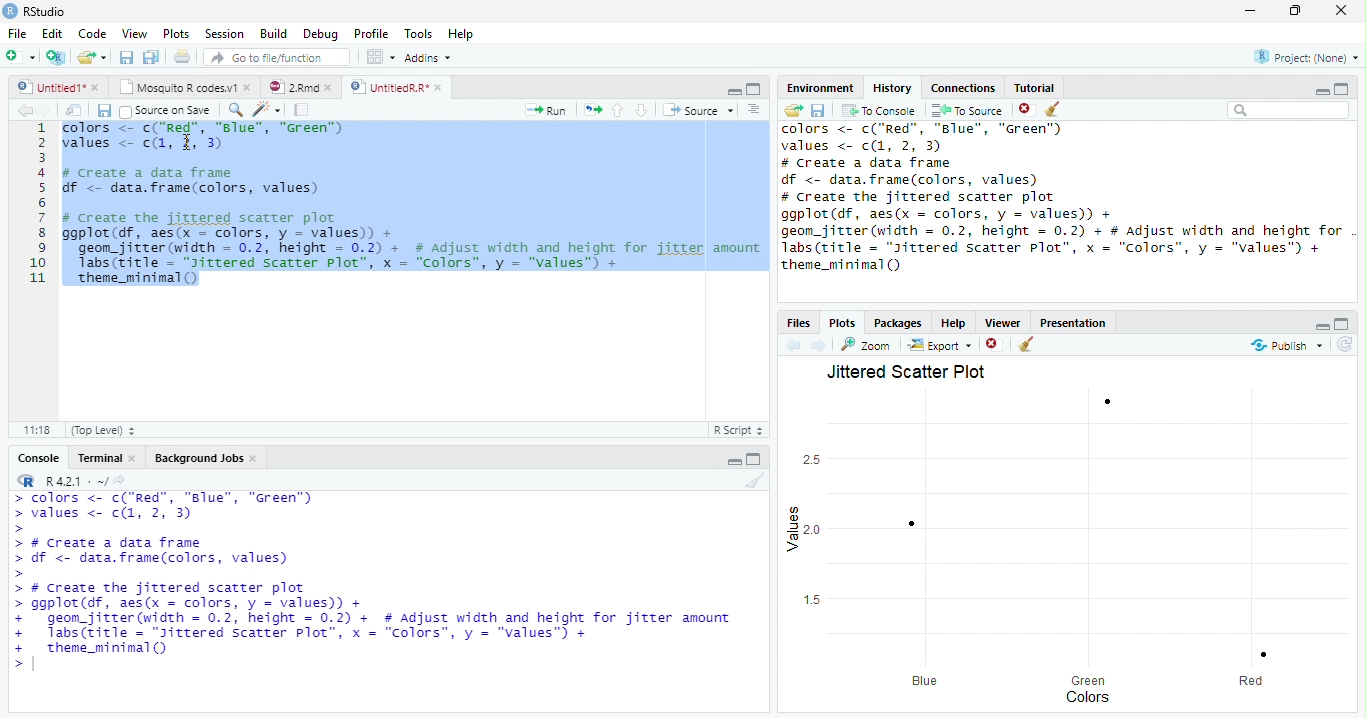 Image resolution: width=1366 pixels, height=718 pixels. Describe the element at coordinates (37, 205) in the screenshot. I see `Line numbers` at that location.